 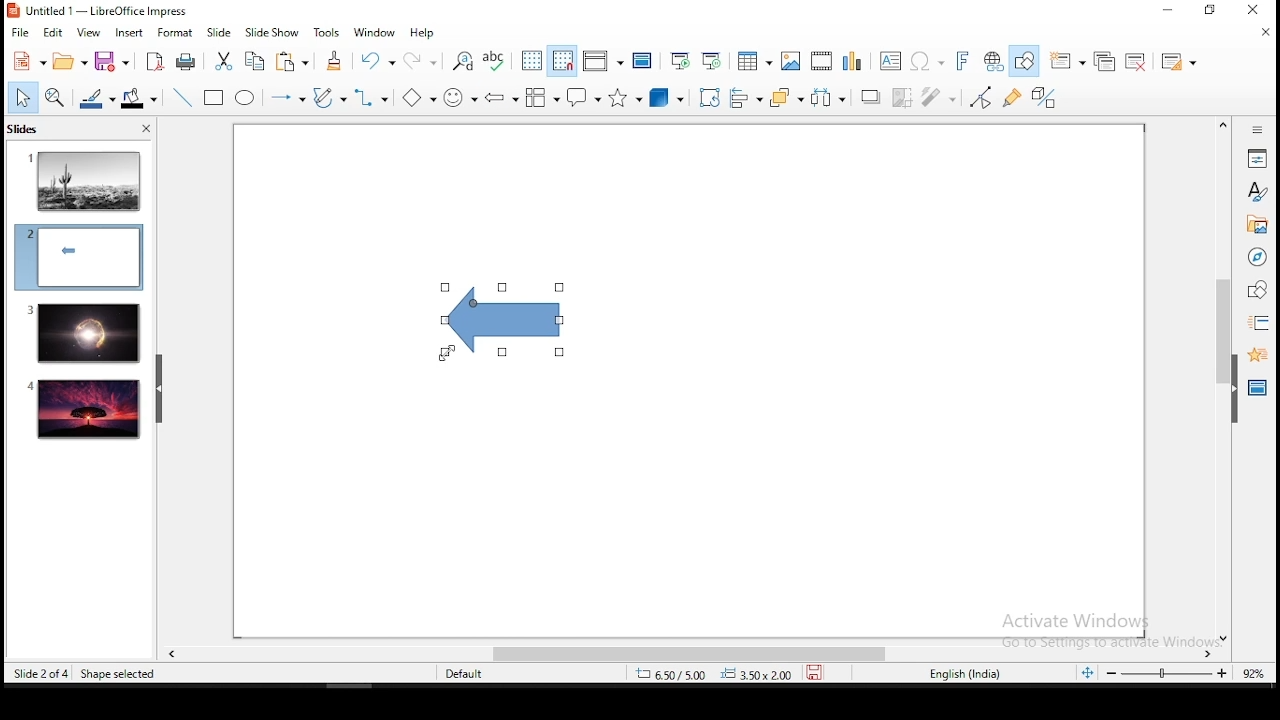 I want to click on shapes, so click(x=1255, y=290).